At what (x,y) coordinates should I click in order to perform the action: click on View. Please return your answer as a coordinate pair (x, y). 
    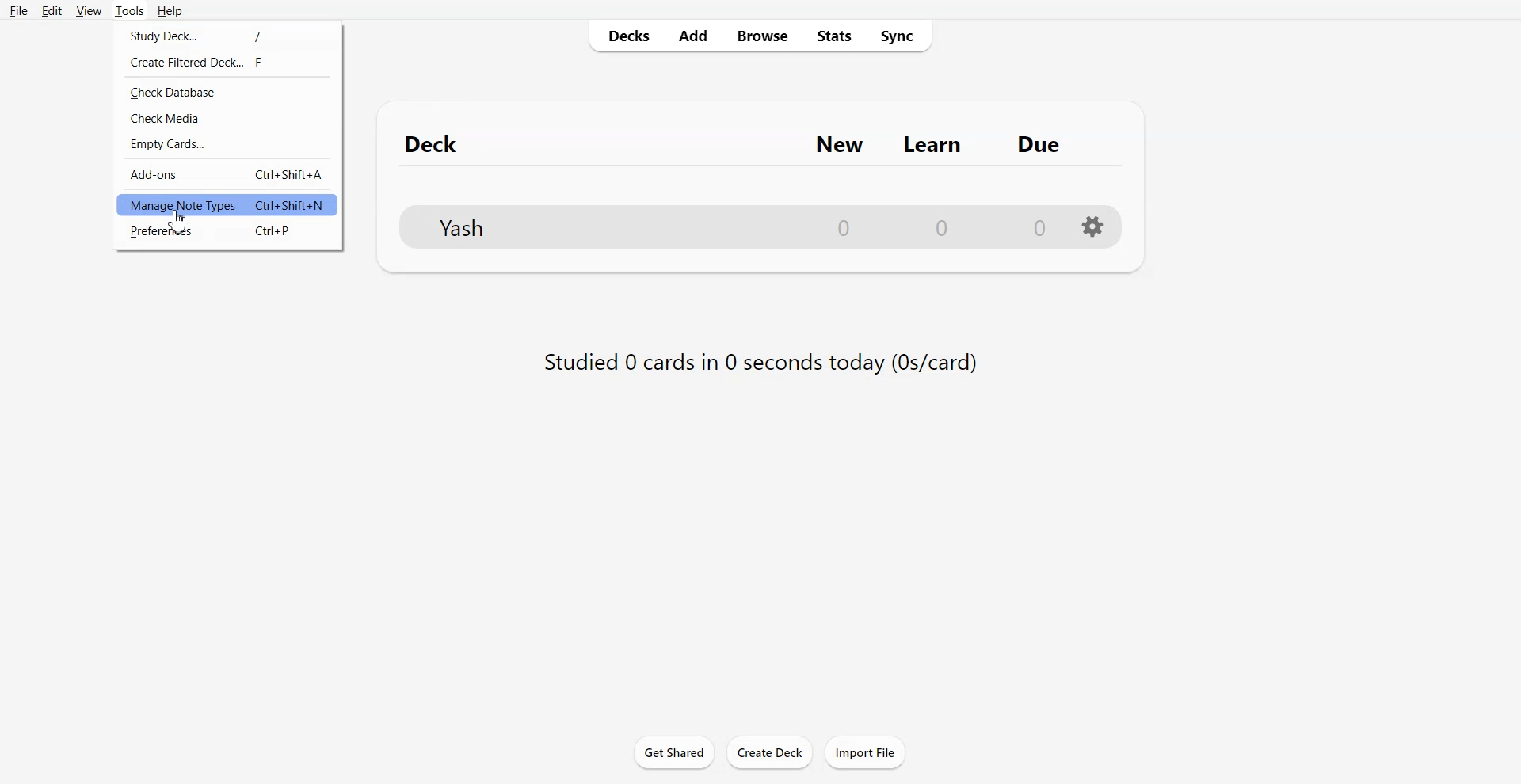
    Looking at the image, I should click on (89, 10).